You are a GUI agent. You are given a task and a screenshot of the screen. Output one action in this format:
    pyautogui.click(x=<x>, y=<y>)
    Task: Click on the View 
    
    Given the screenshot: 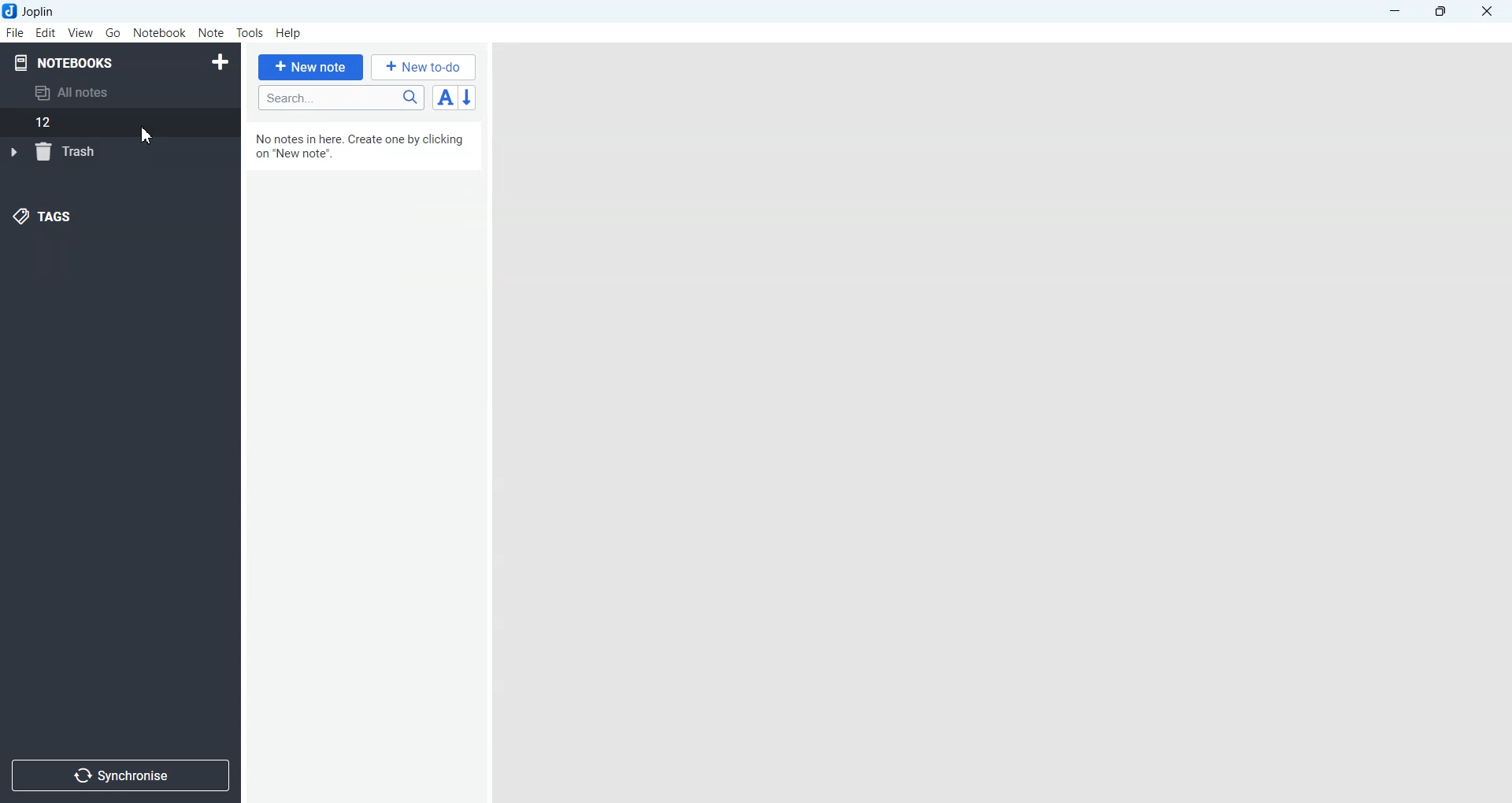 What is the action you would take?
    pyautogui.click(x=80, y=32)
    